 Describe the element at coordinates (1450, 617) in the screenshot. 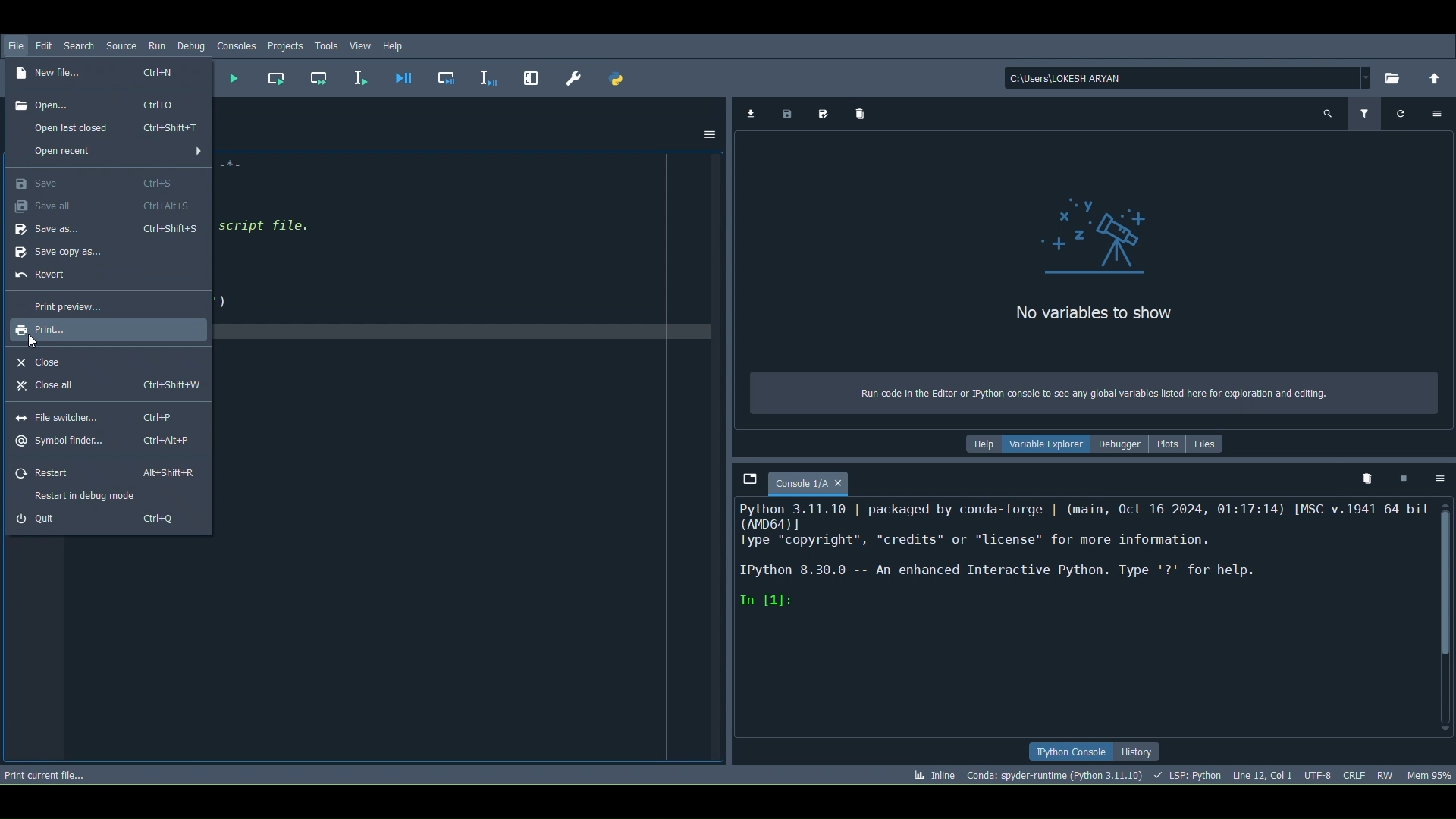

I see `Scrollbar` at that location.